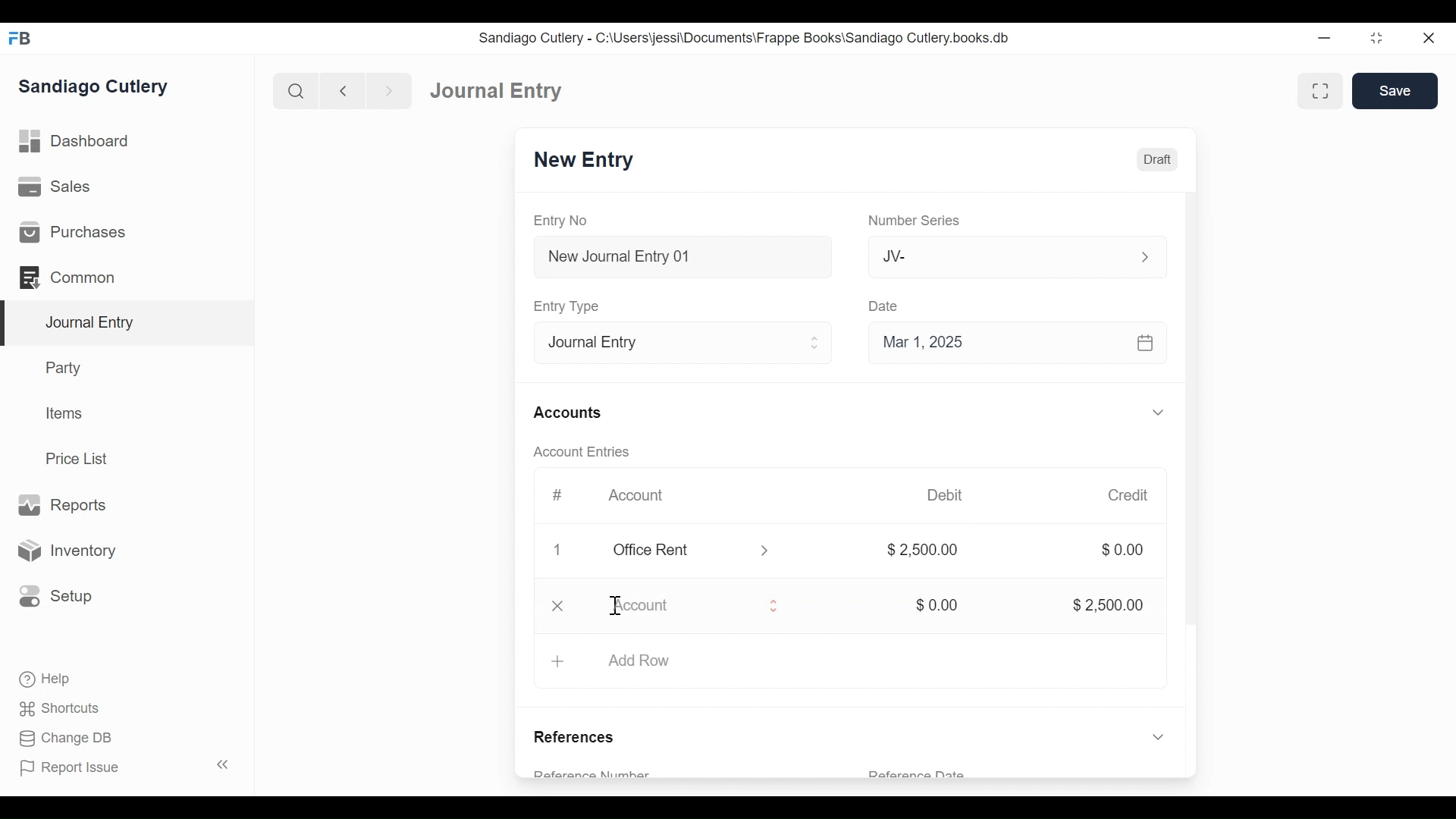 Image resolution: width=1456 pixels, height=819 pixels. What do you see at coordinates (678, 256) in the screenshot?
I see `New Journal Entry 01` at bounding box center [678, 256].